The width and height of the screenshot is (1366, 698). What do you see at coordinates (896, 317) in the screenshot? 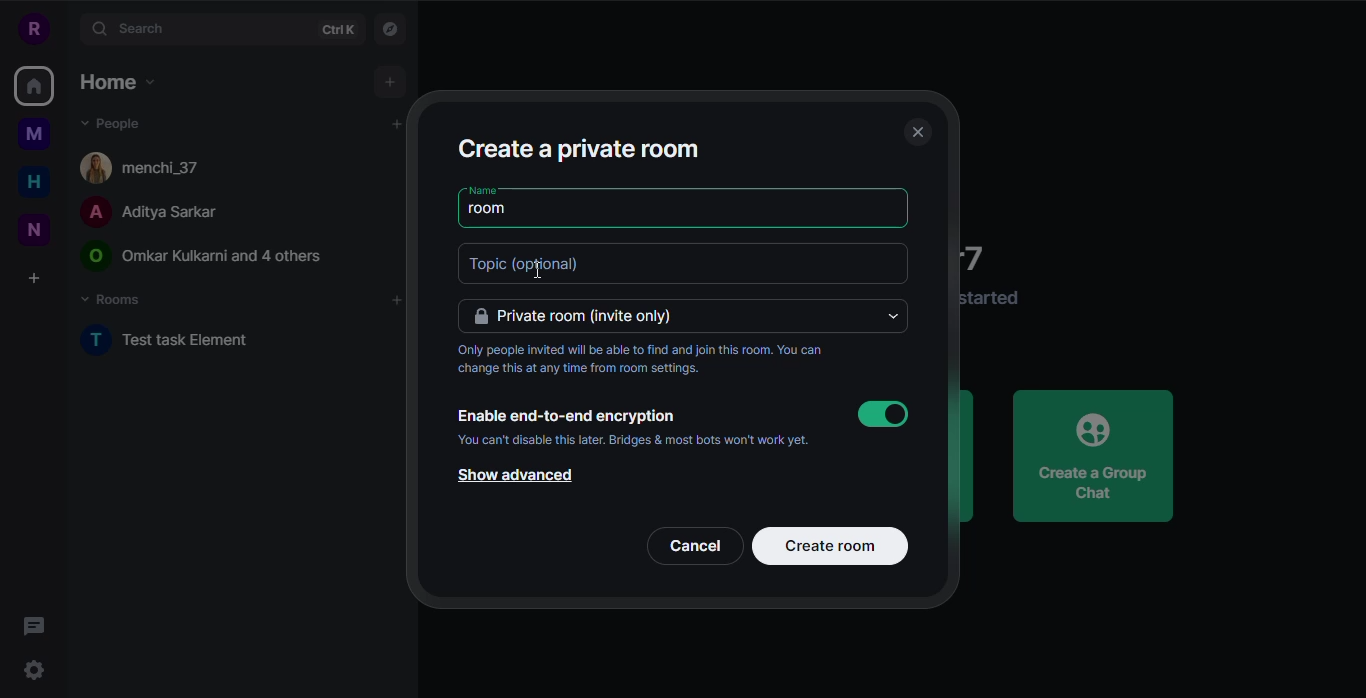
I see `drop down` at bounding box center [896, 317].